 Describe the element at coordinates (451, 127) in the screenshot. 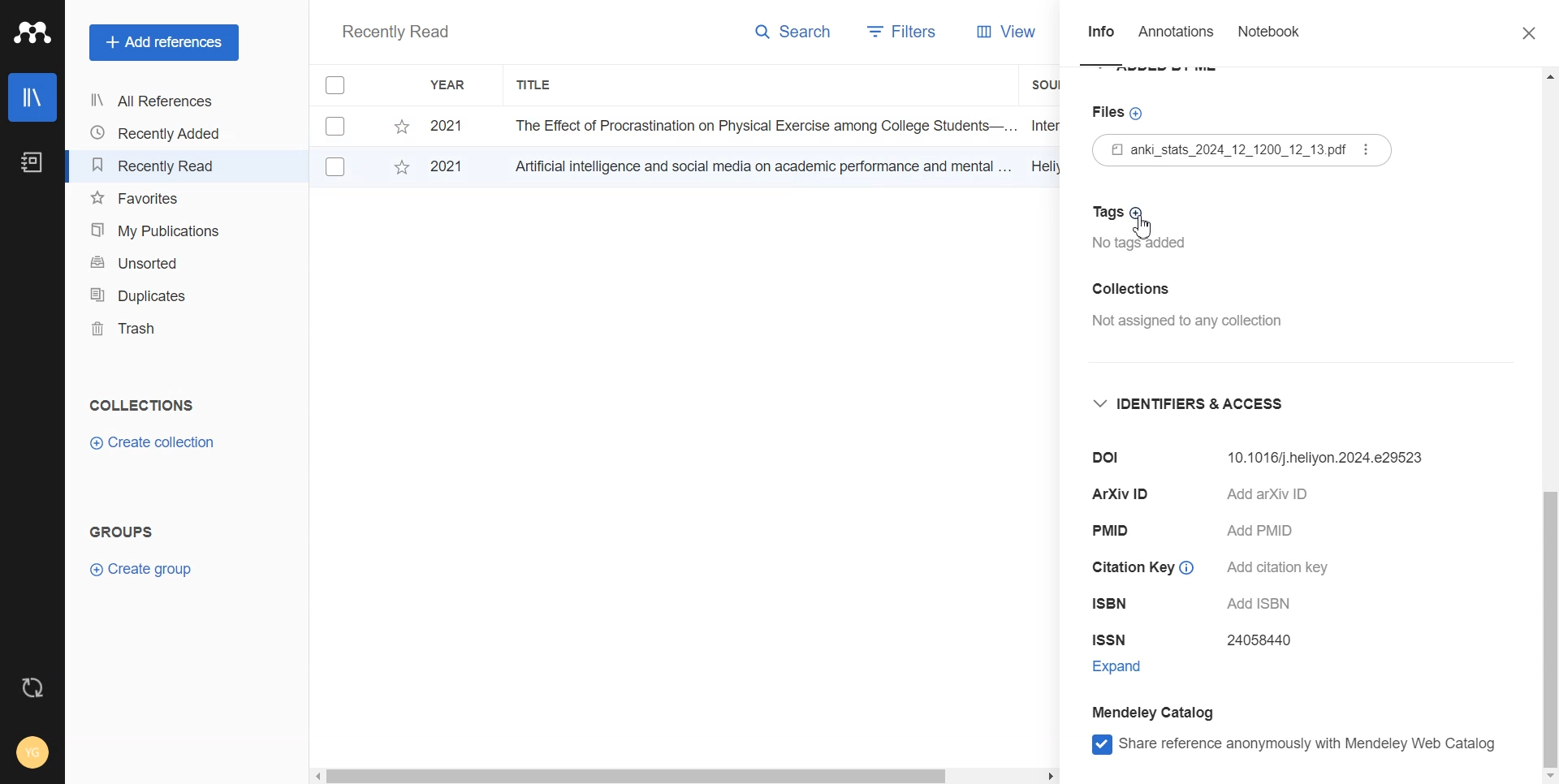

I see `2021` at that location.